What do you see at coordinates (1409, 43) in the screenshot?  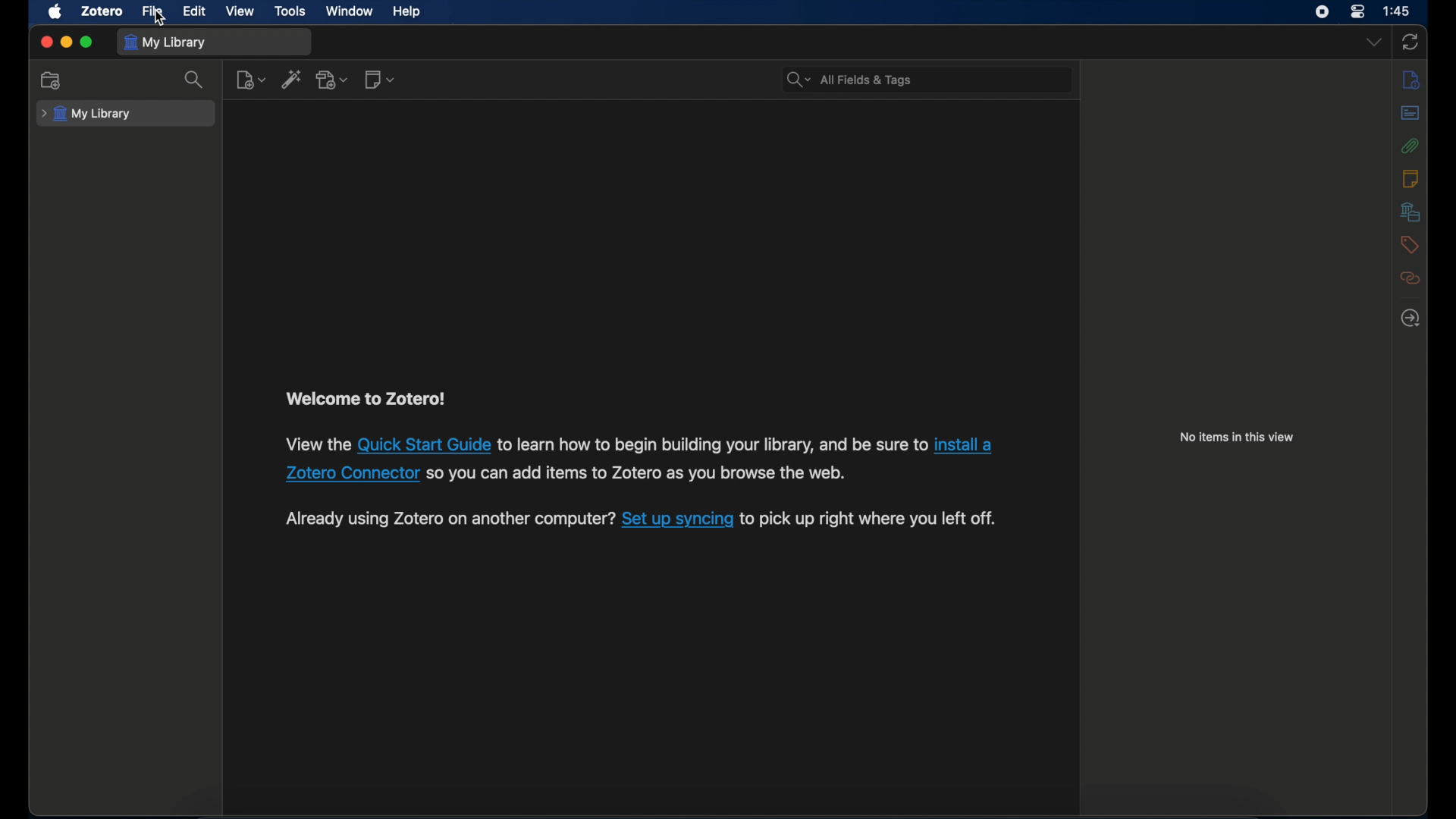 I see `sync` at bounding box center [1409, 43].